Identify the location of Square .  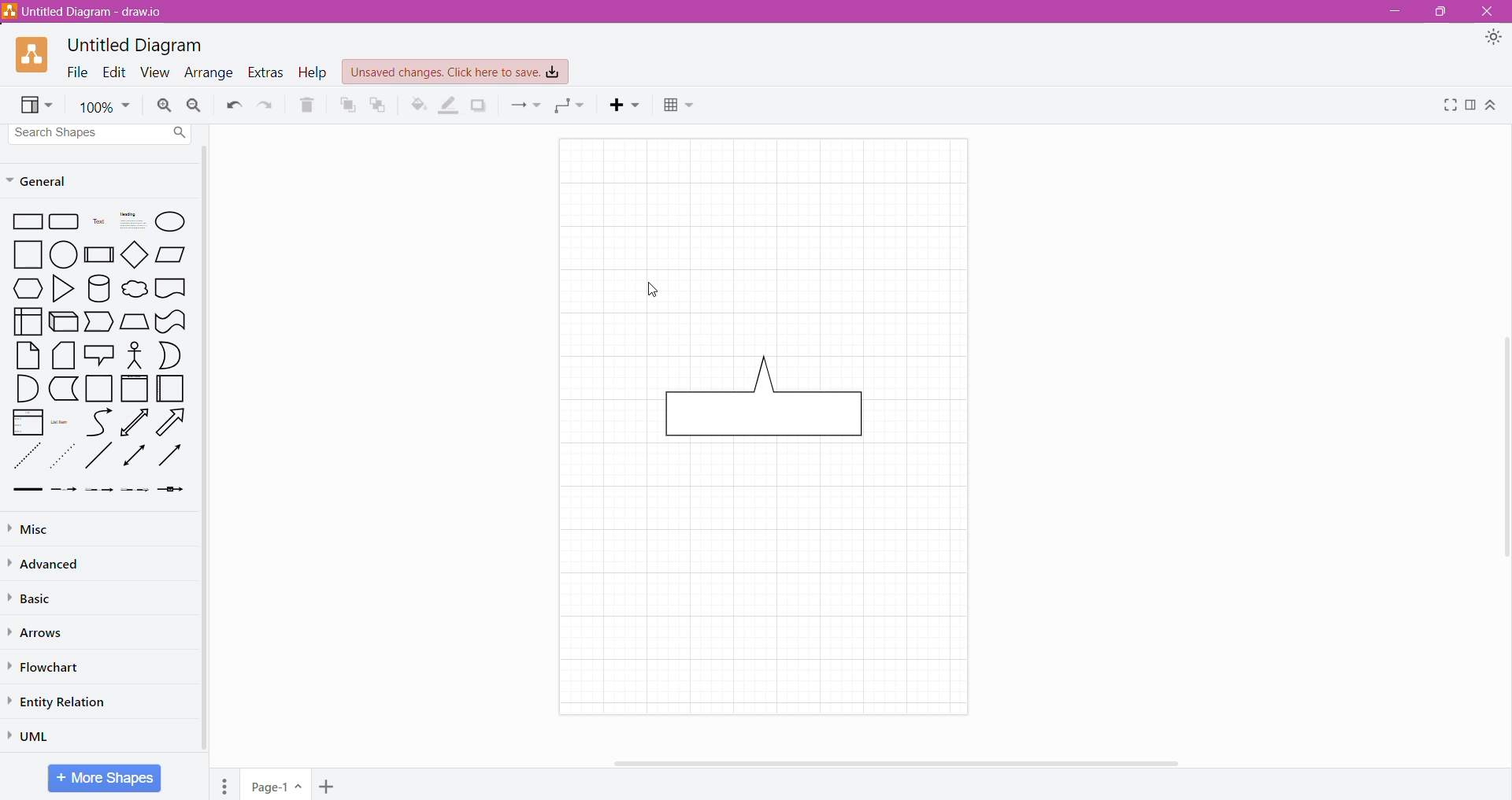
(99, 389).